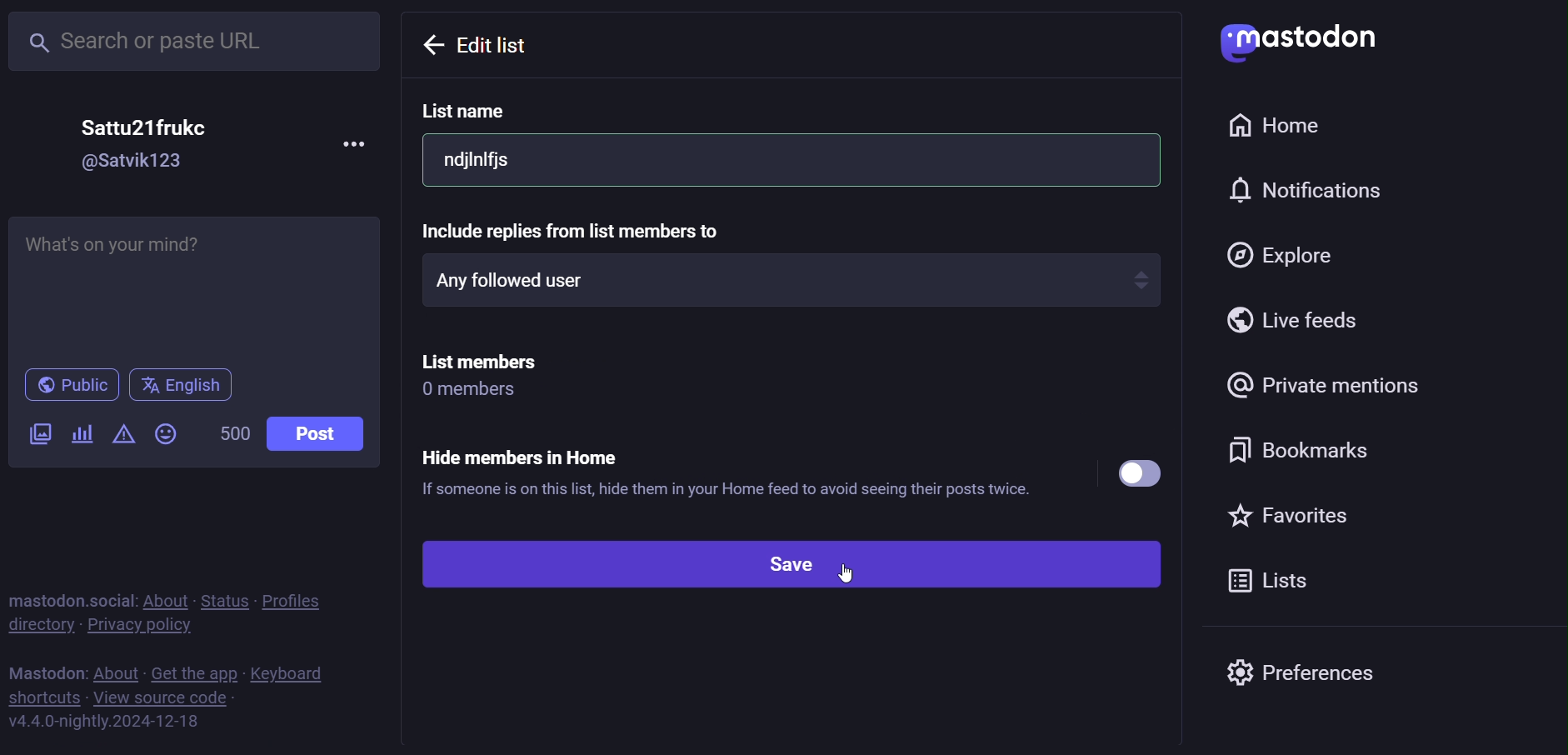 The image size is (1568, 755). What do you see at coordinates (115, 671) in the screenshot?
I see `about` at bounding box center [115, 671].